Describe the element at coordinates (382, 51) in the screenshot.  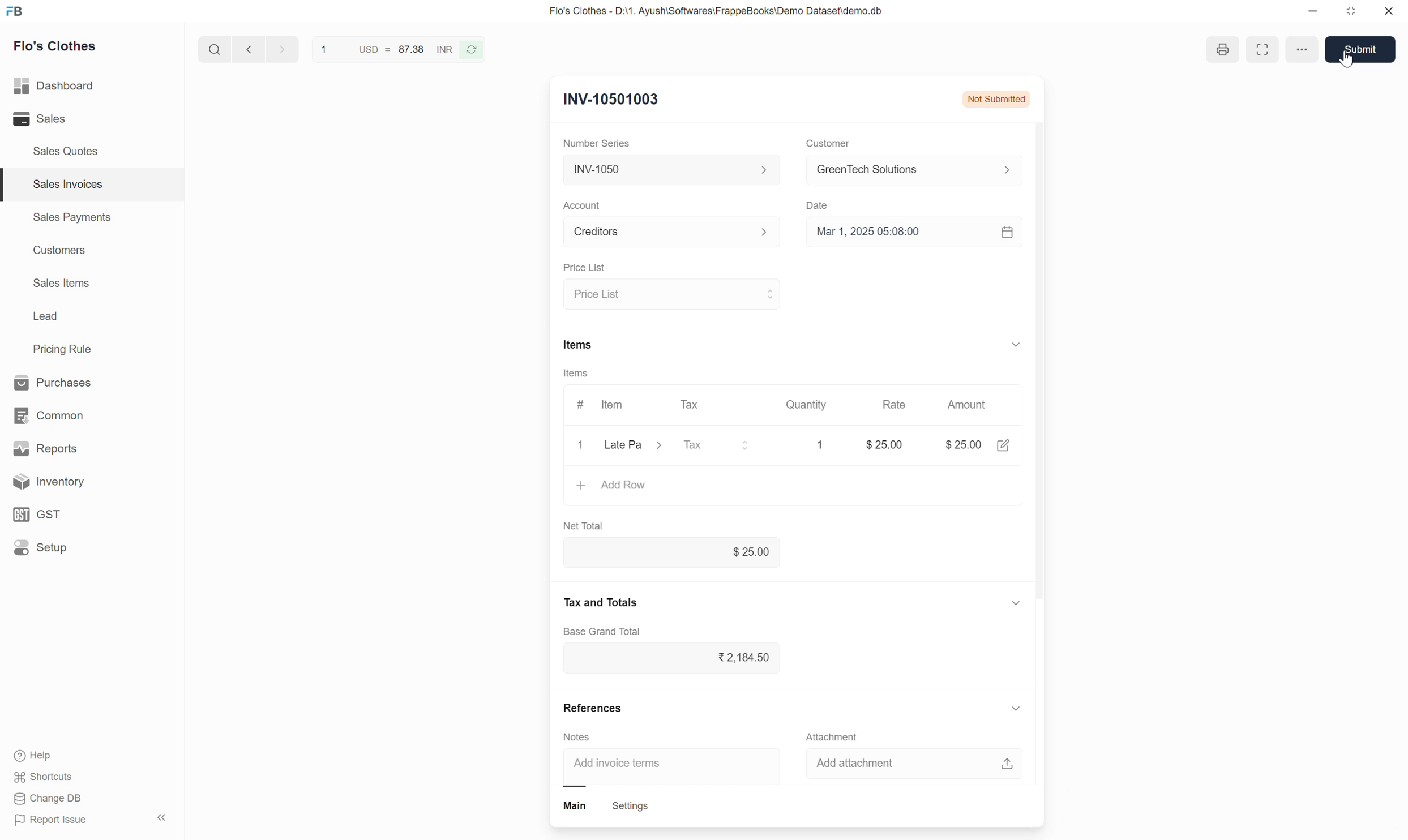
I see `USD = 87.38 INR` at that location.